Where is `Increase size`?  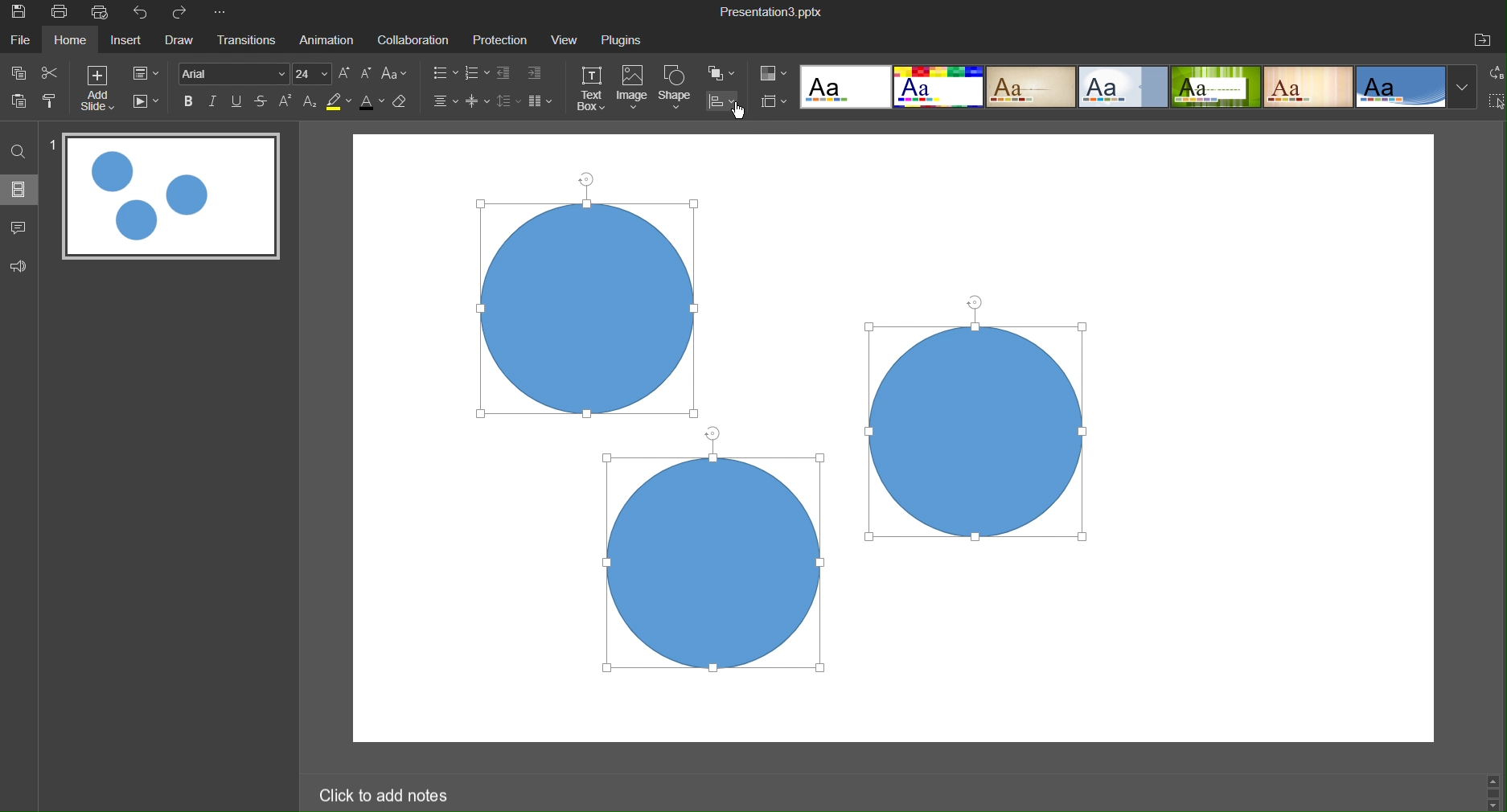
Increase size is located at coordinates (345, 73).